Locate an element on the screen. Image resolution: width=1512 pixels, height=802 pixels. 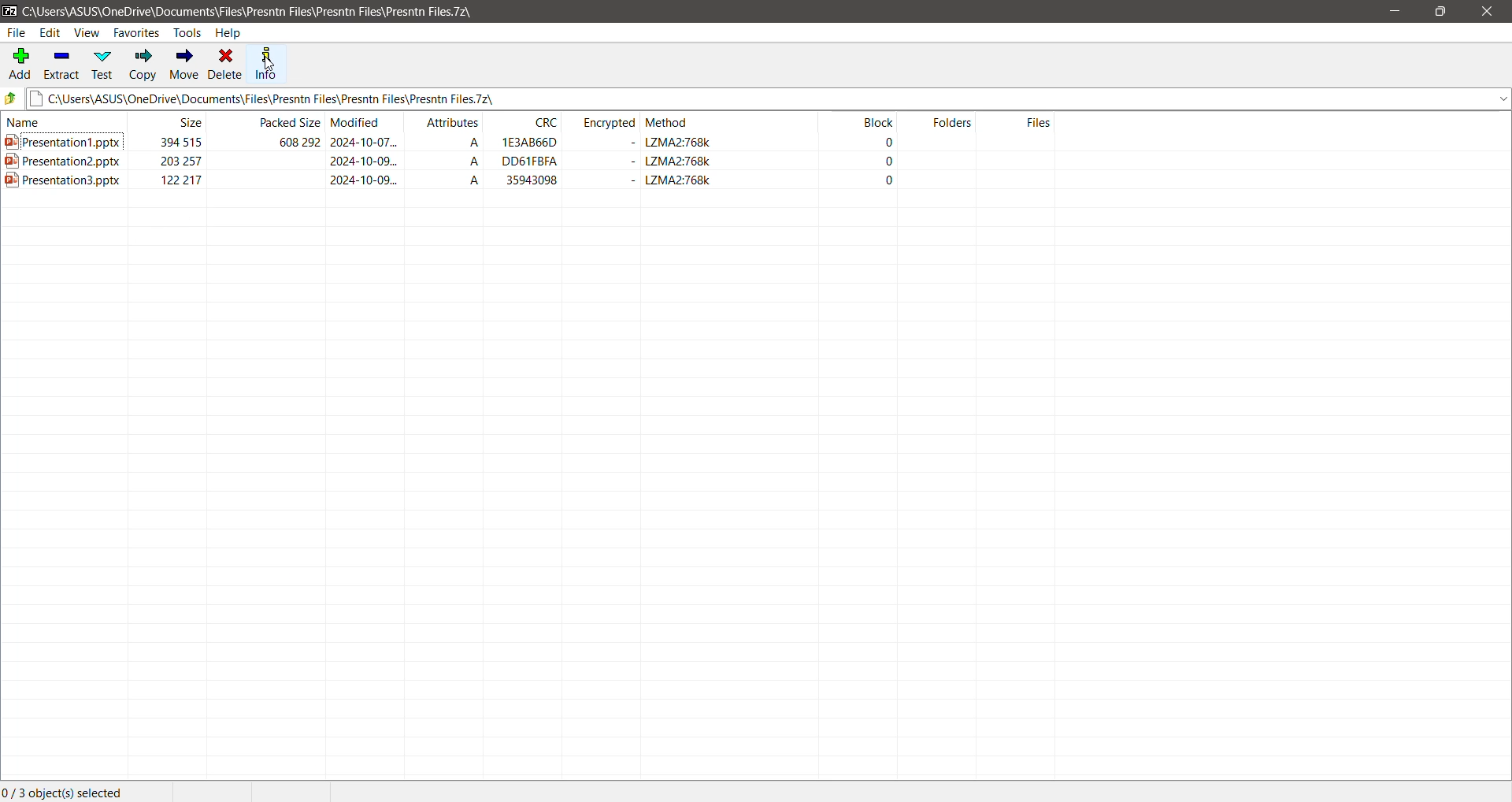
Add is located at coordinates (19, 65).